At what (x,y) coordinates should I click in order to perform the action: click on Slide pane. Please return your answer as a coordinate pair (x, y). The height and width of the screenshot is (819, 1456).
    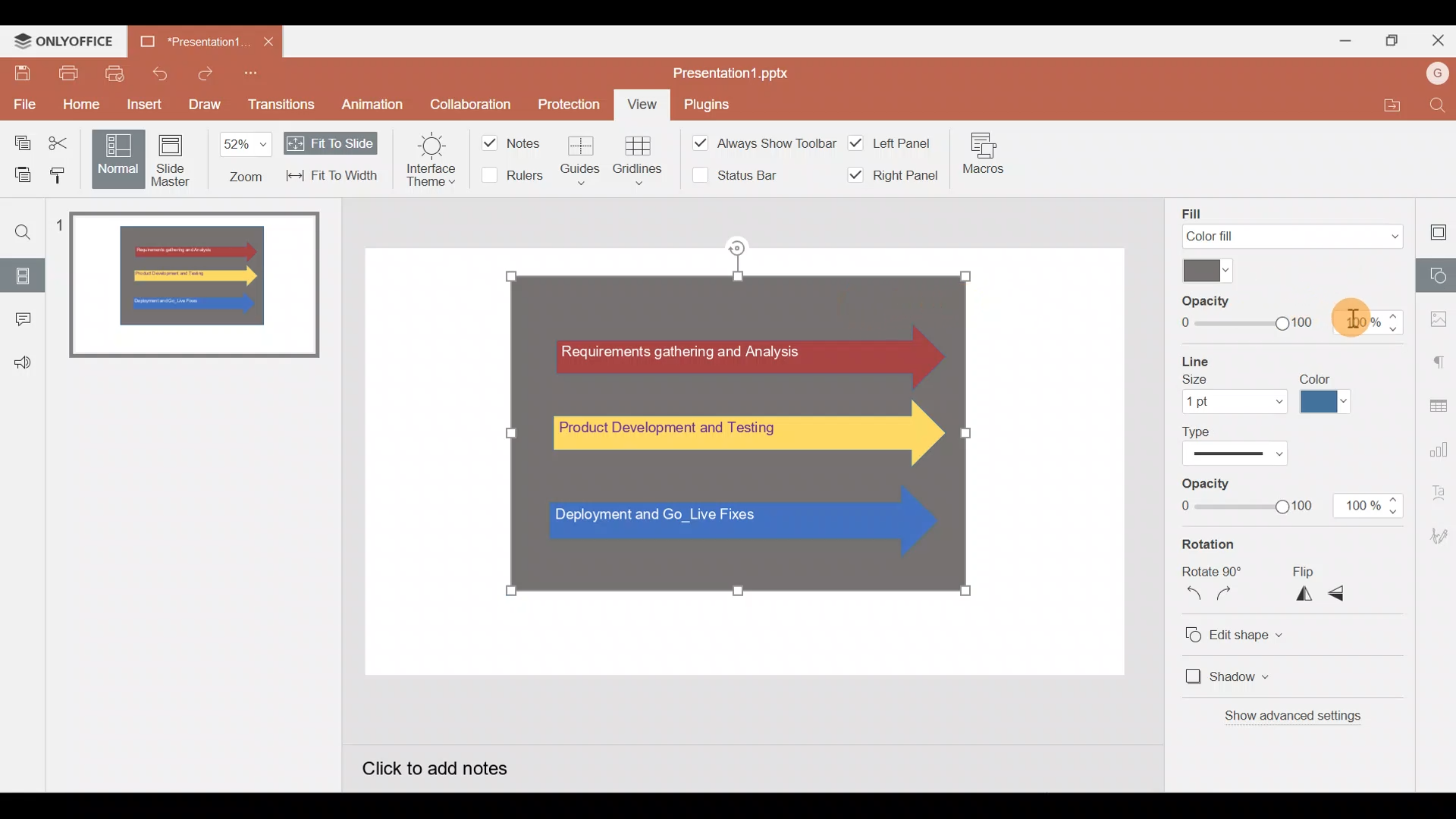
    Looking at the image, I should click on (210, 568).